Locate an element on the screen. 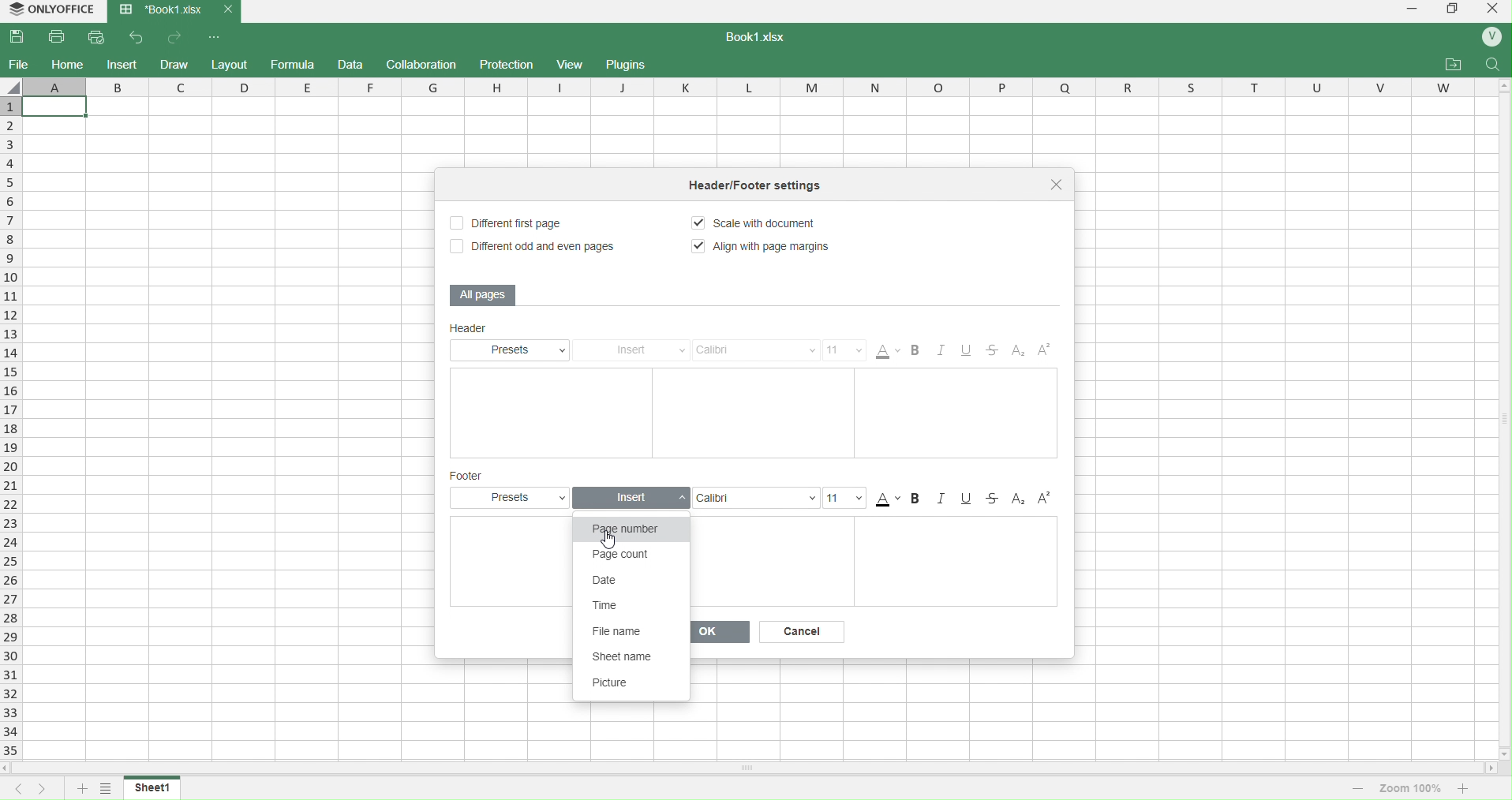 This screenshot has height=800, width=1512. Text Boxes is located at coordinates (754, 413).